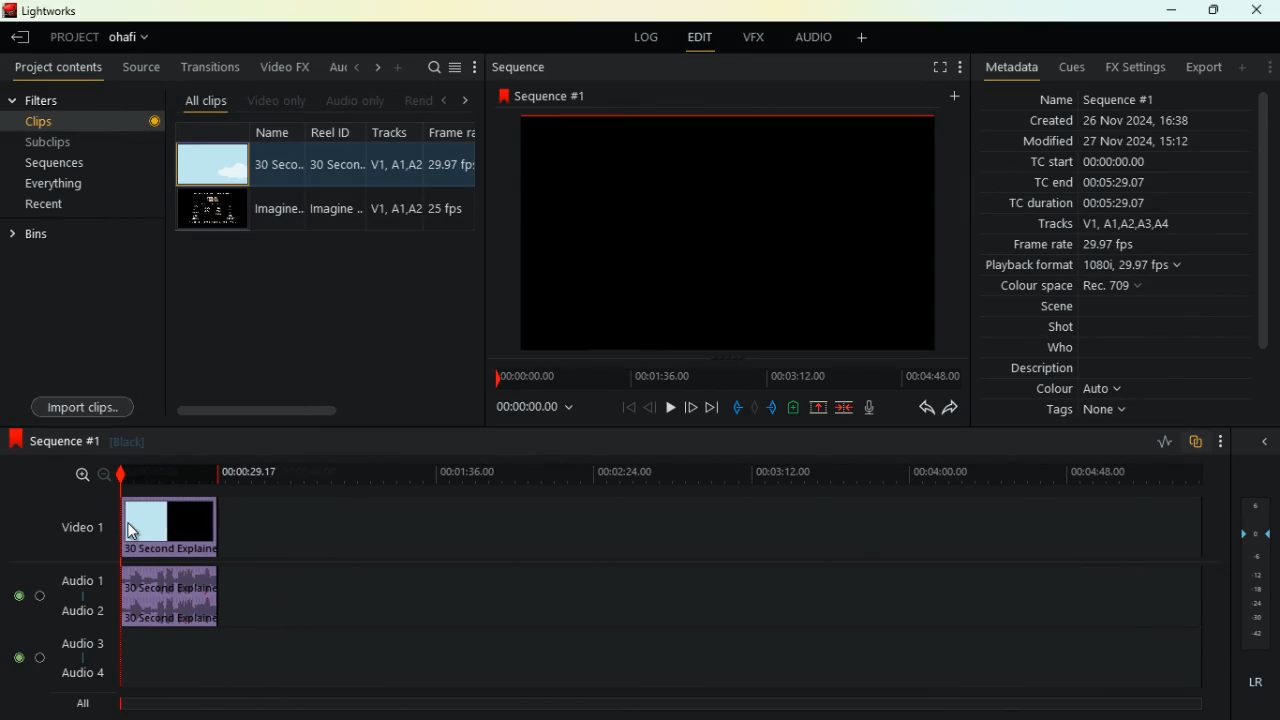 Image resolution: width=1280 pixels, height=720 pixels. What do you see at coordinates (55, 98) in the screenshot?
I see `filters` at bounding box center [55, 98].